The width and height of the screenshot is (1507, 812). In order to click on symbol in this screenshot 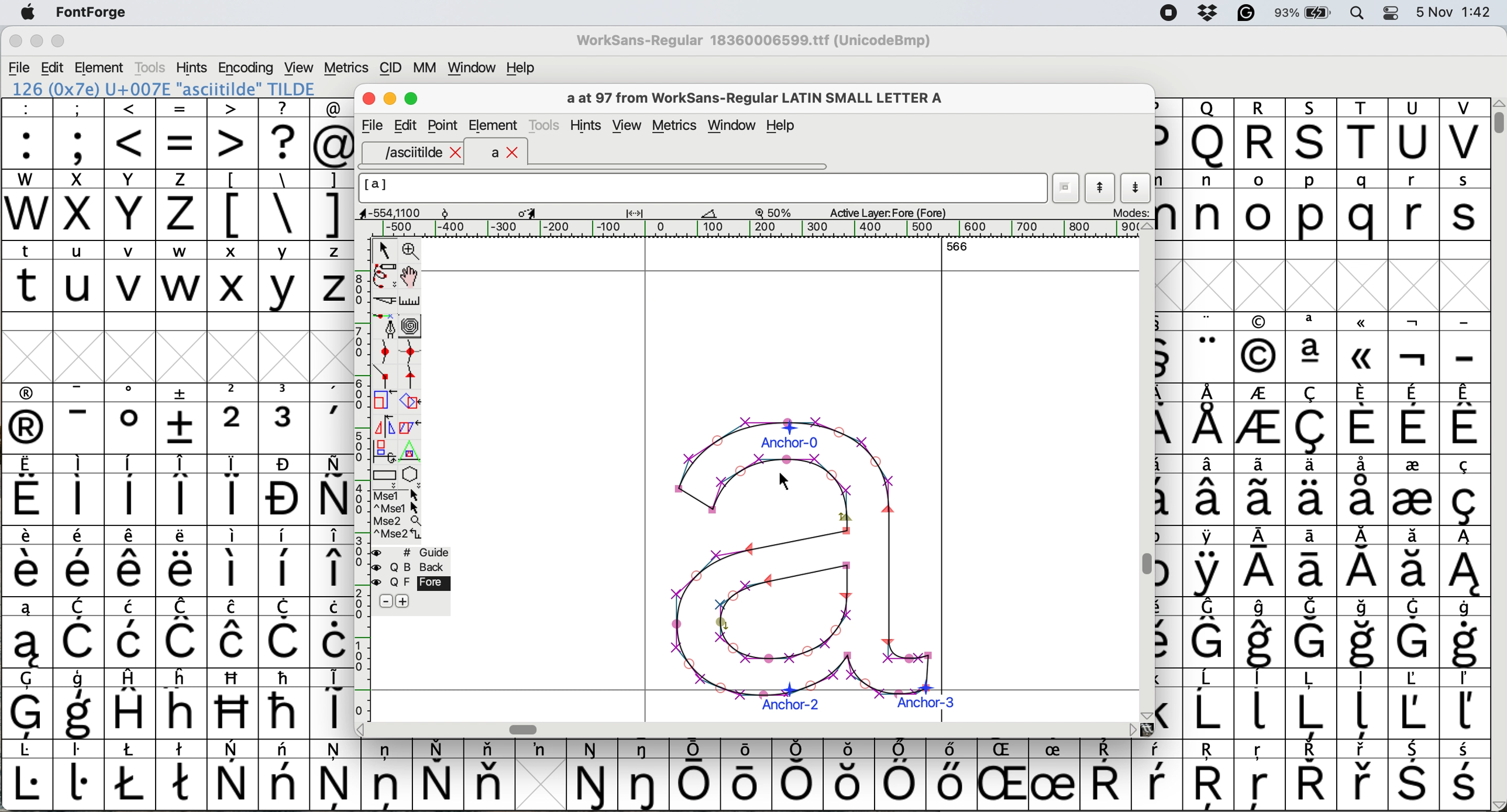, I will do `click(1105, 776)`.